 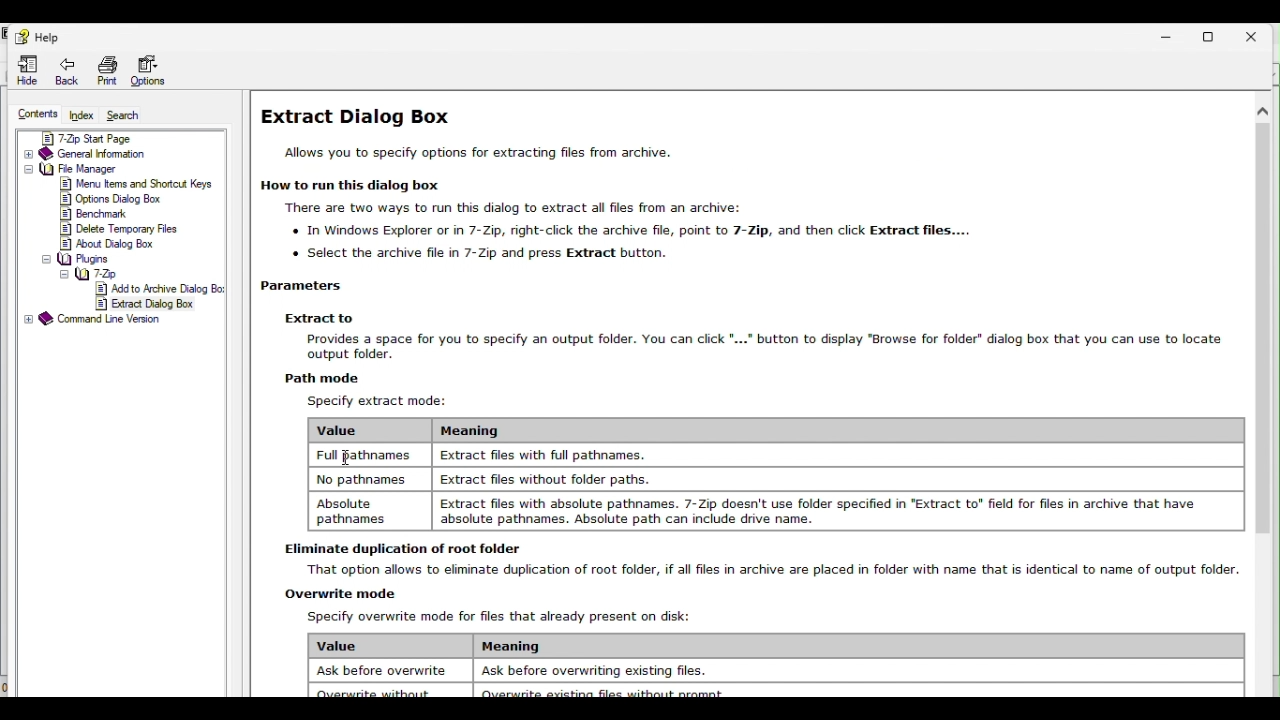 I want to click on delete, so click(x=121, y=228).